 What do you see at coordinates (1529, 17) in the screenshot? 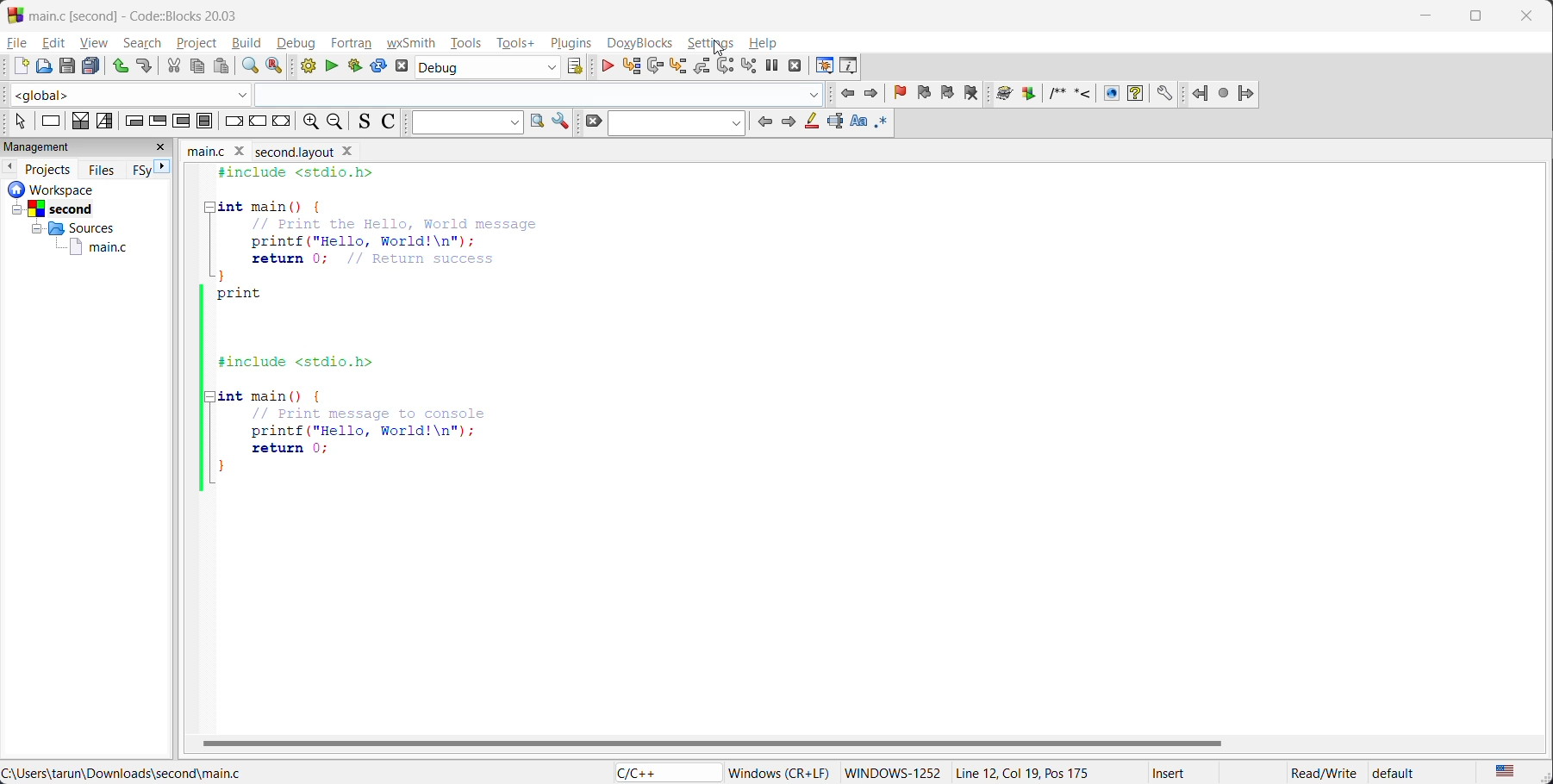
I see `close` at bounding box center [1529, 17].